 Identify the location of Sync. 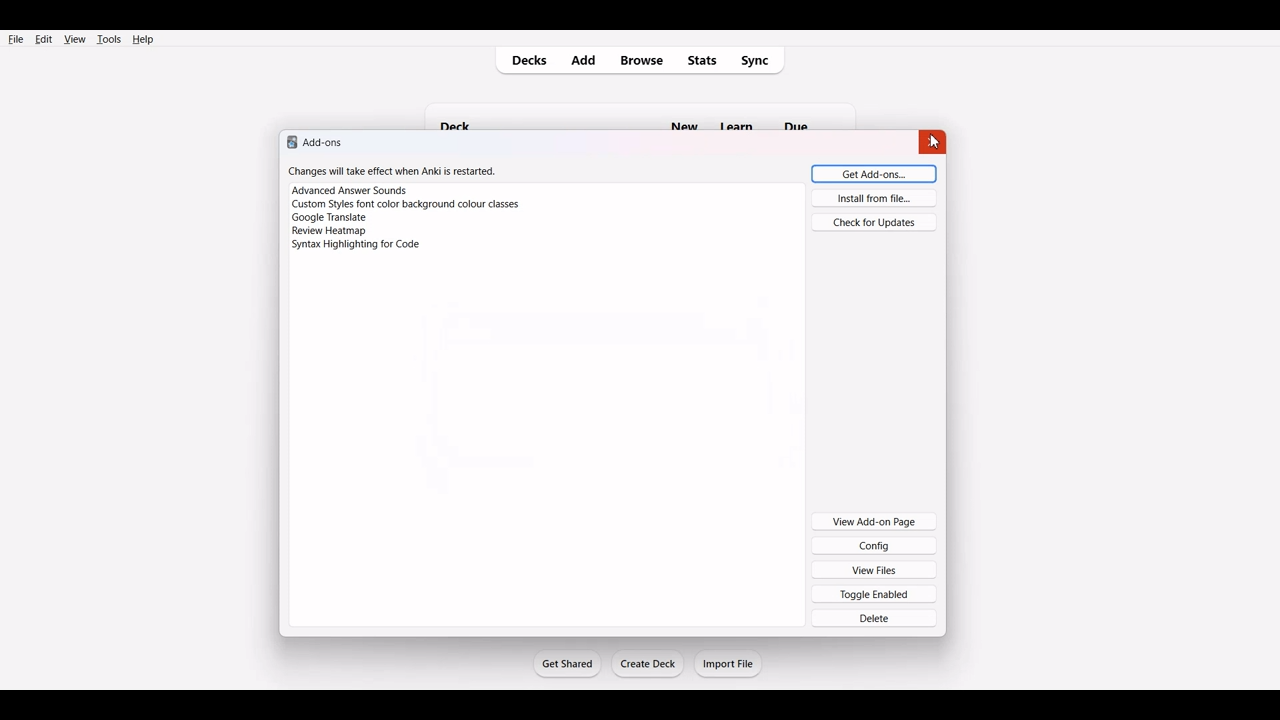
(761, 60).